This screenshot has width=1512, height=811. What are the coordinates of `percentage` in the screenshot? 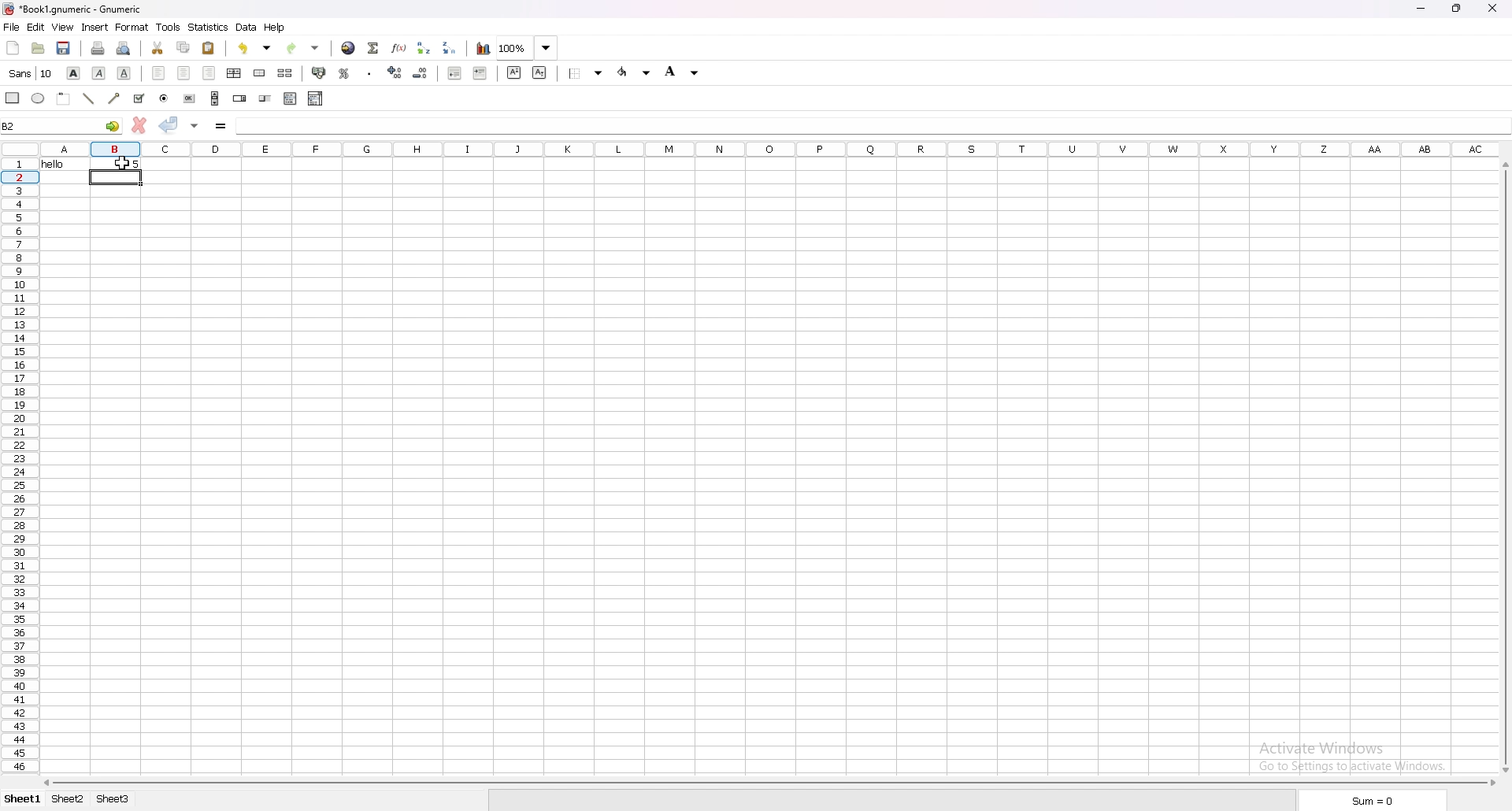 It's located at (346, 72).